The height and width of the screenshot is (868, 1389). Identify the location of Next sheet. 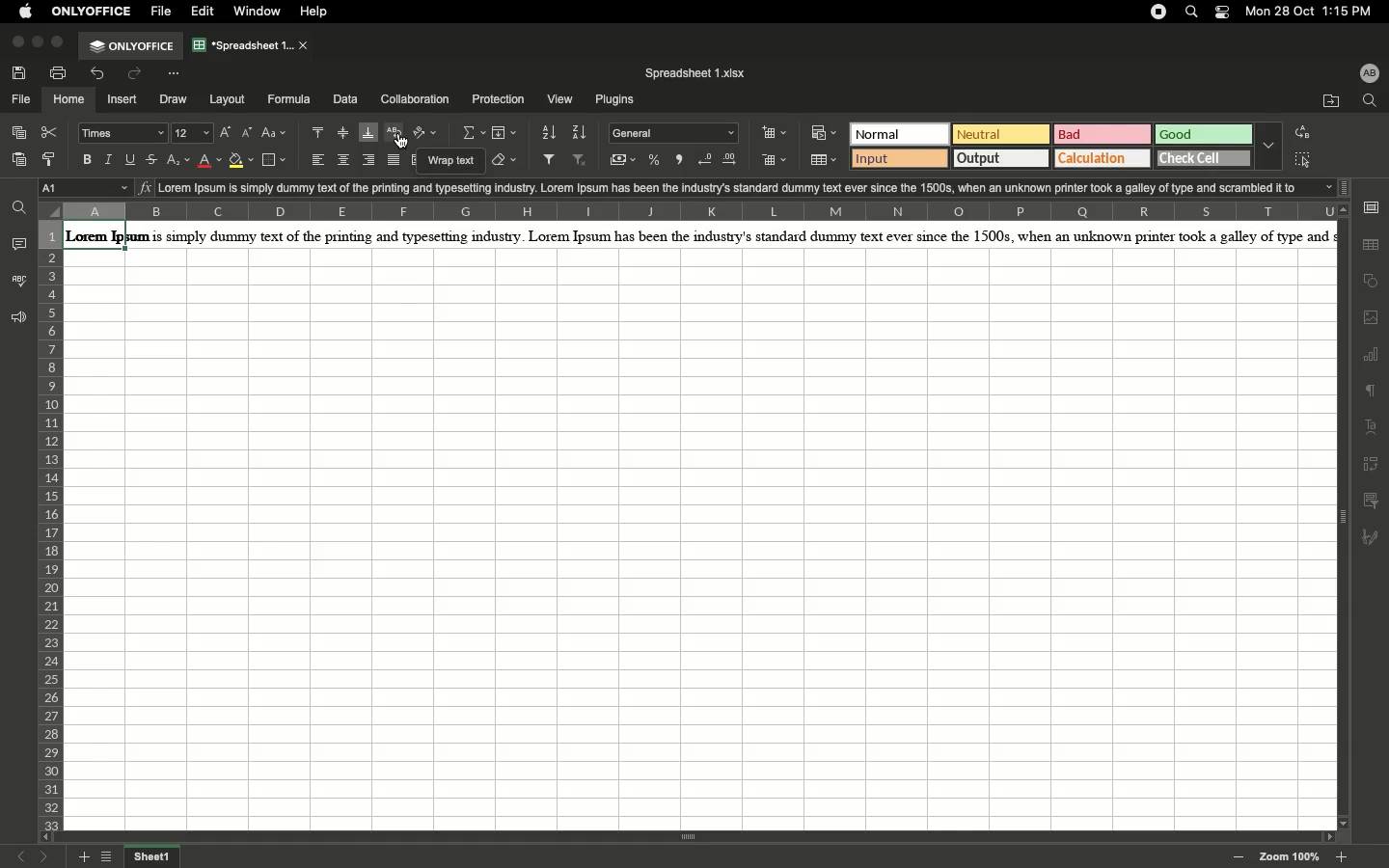
(45, 857).